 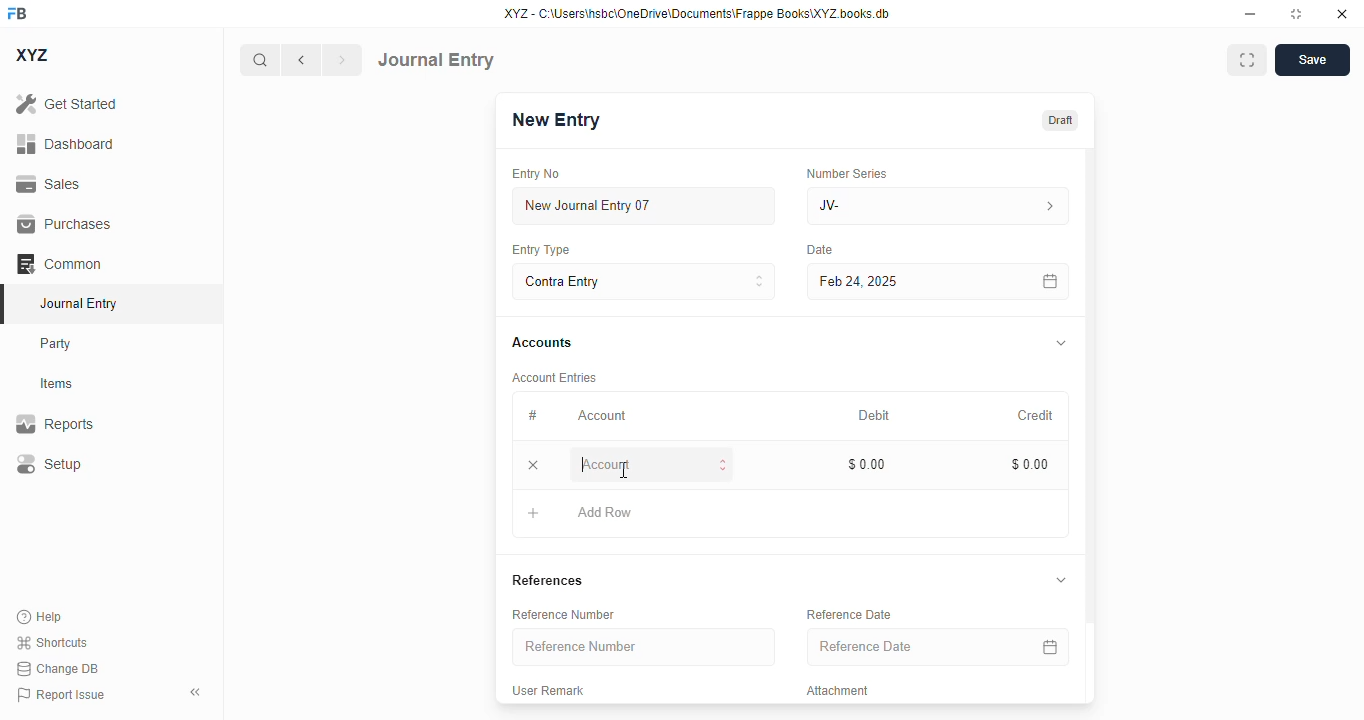 What do you see at coordinates (533, 513) in the screenshot?
I see `add button` at bounding box center [533, 513].